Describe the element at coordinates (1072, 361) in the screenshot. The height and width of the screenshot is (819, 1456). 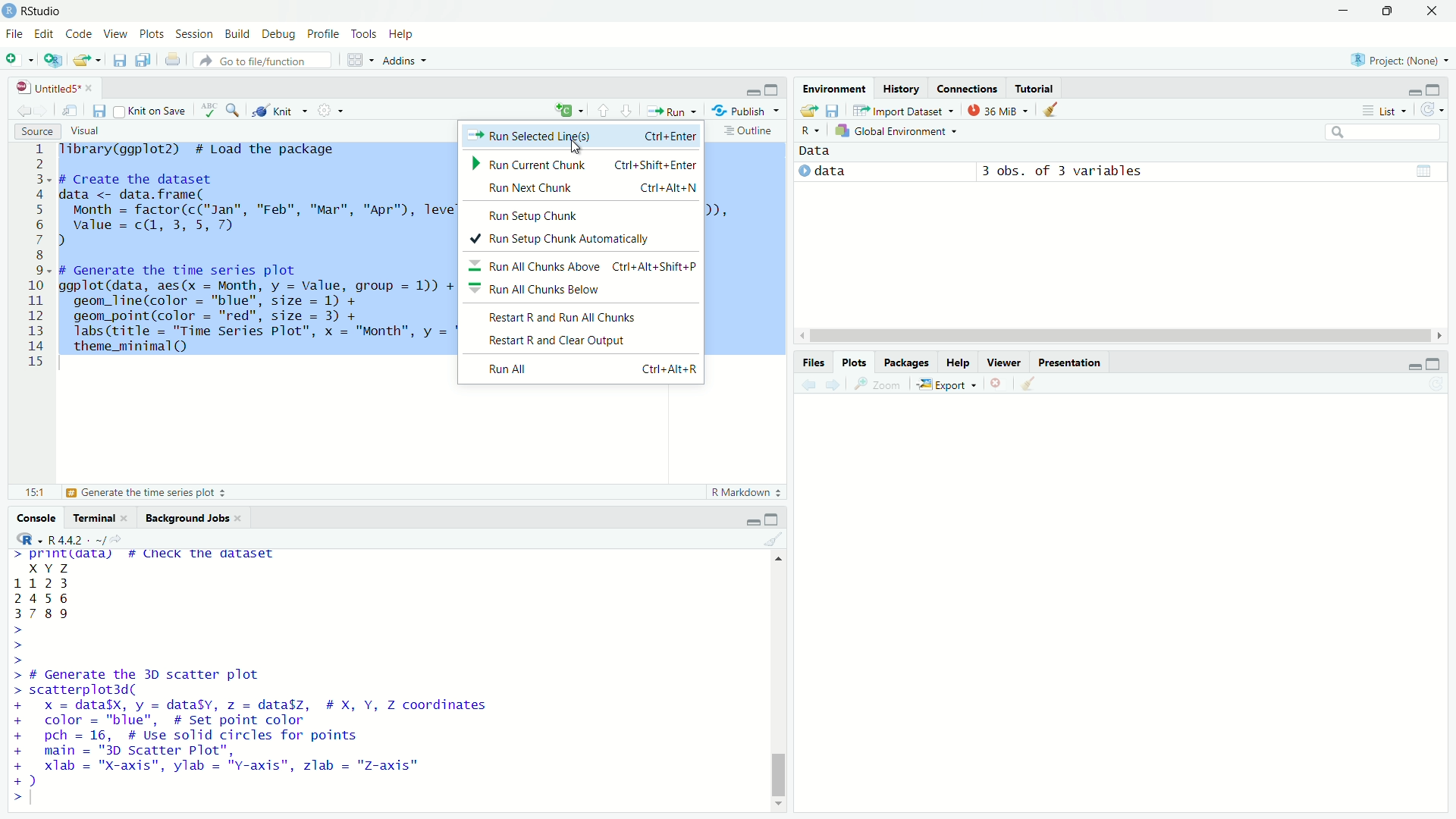
I see `presentations` at that location.